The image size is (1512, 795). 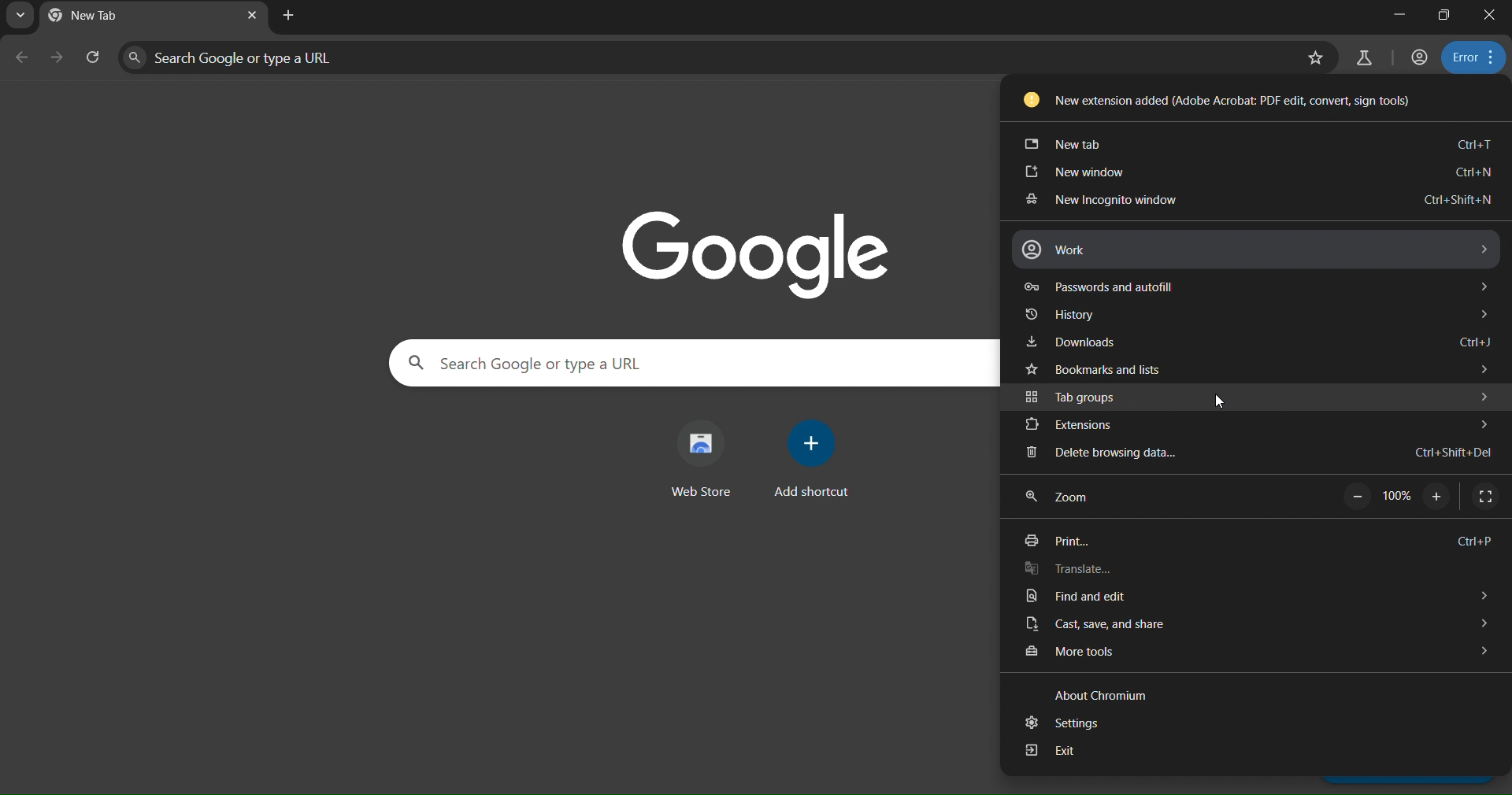 What do you see at coordinates (1076, 497) in the screenshot?
I see `zoom` at bounding box center [1076, 497].